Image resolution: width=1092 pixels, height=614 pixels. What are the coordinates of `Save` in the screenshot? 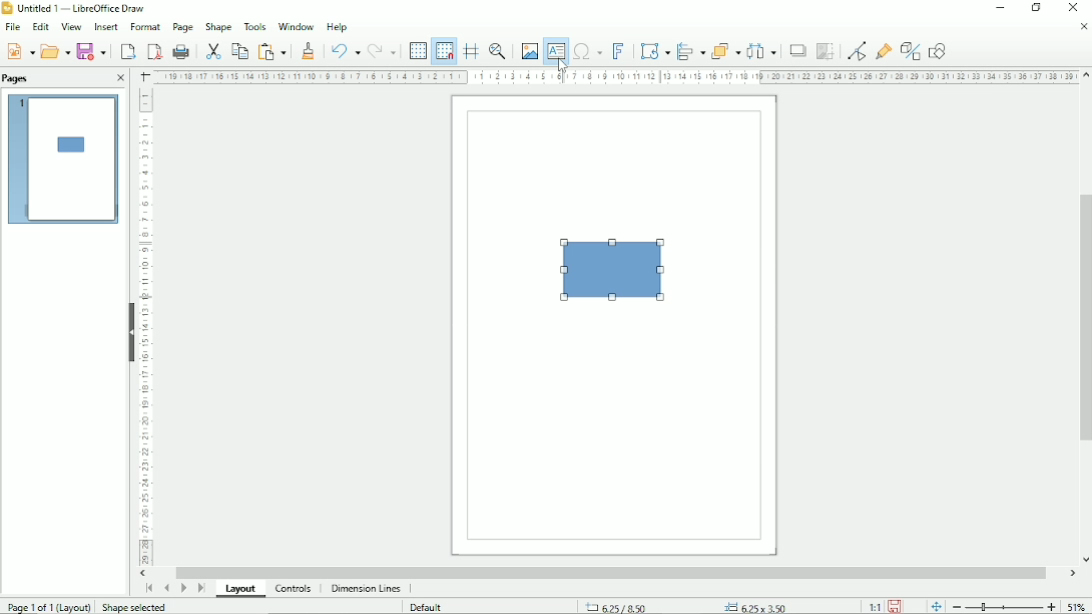 It's located at (92, 51).